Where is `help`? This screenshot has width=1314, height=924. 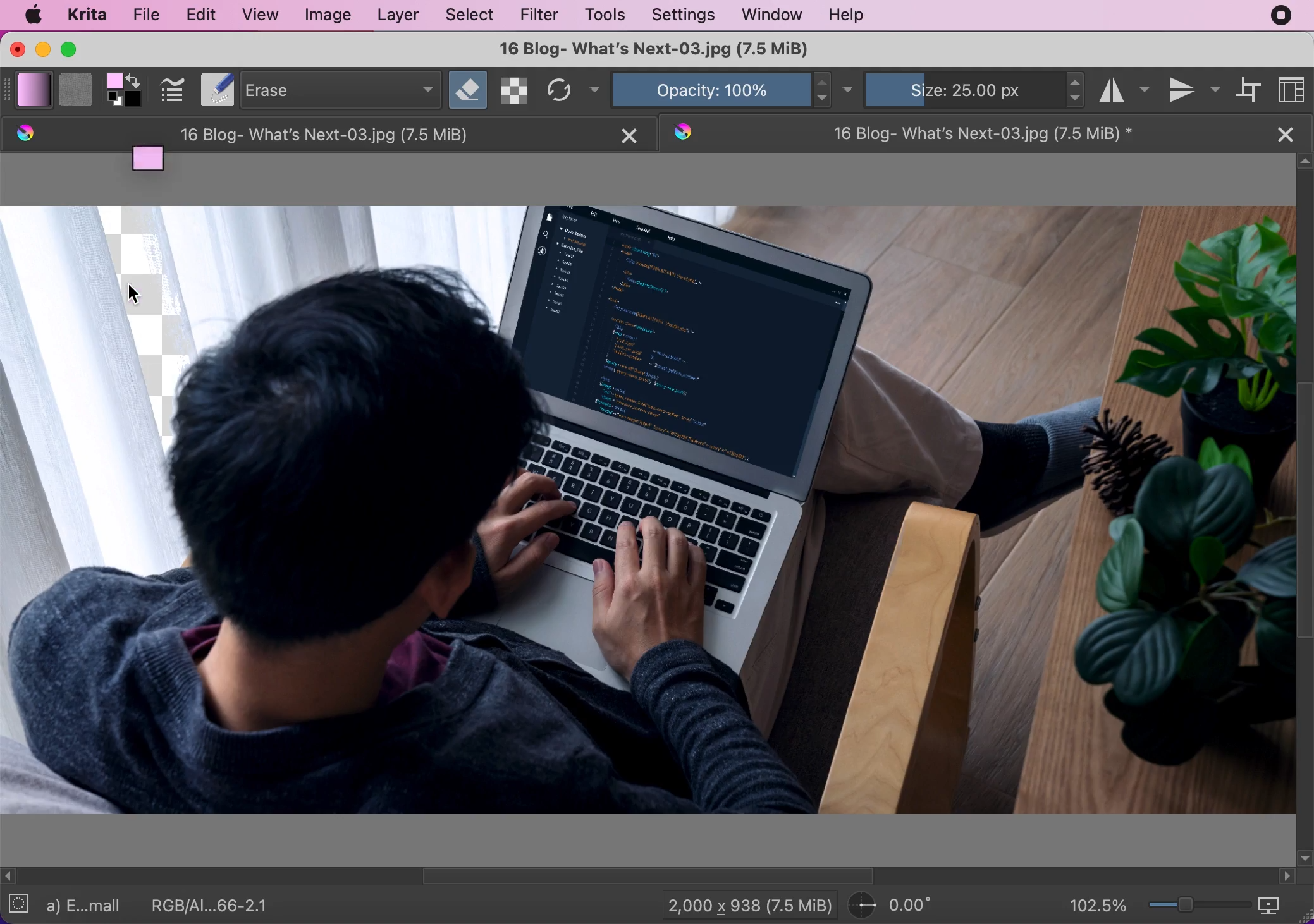 help is located at coordinates (847, 16).